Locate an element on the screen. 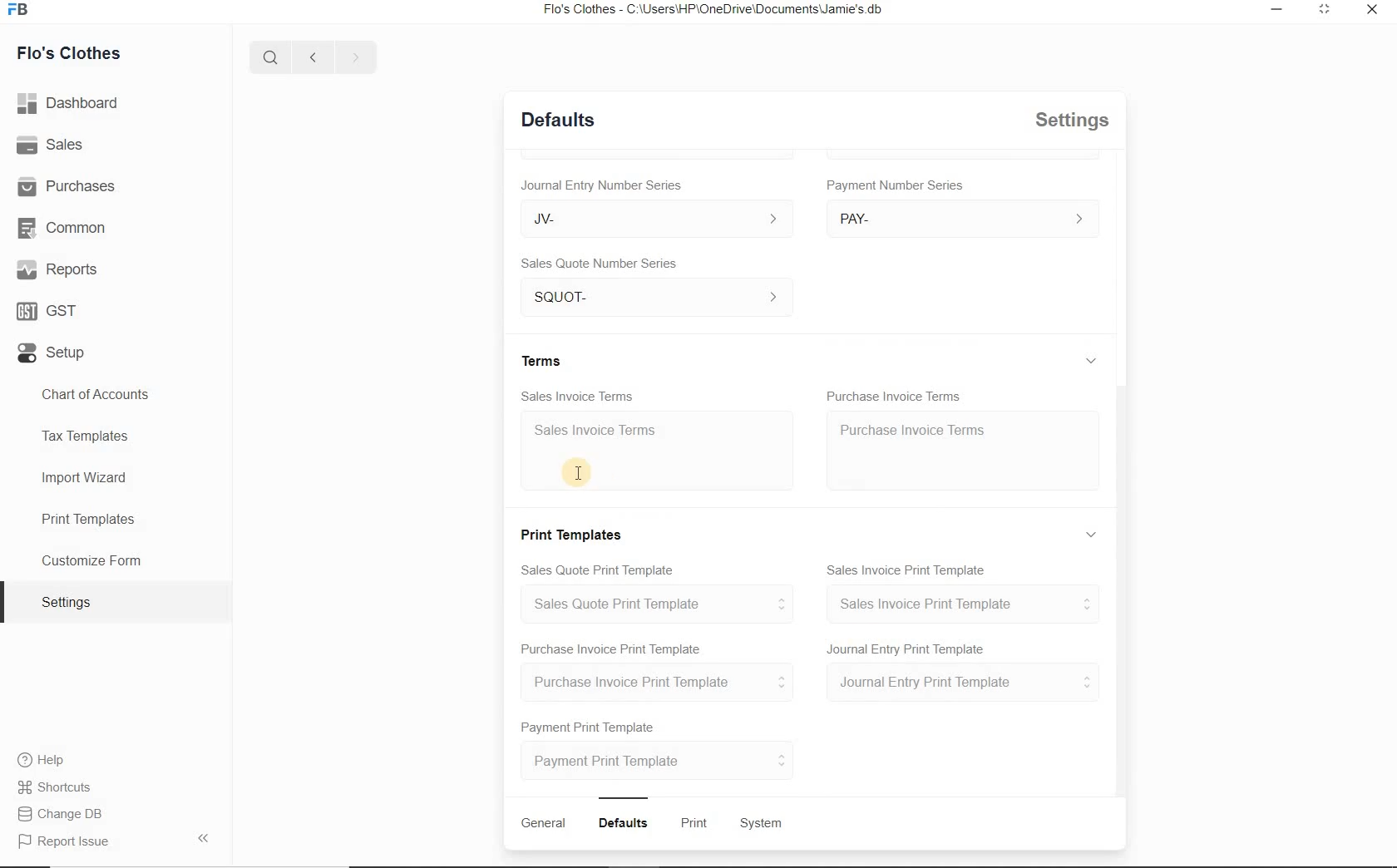 The image size is (1397, 868). Sales Invoice Terms is located at coordinates (577, 397).